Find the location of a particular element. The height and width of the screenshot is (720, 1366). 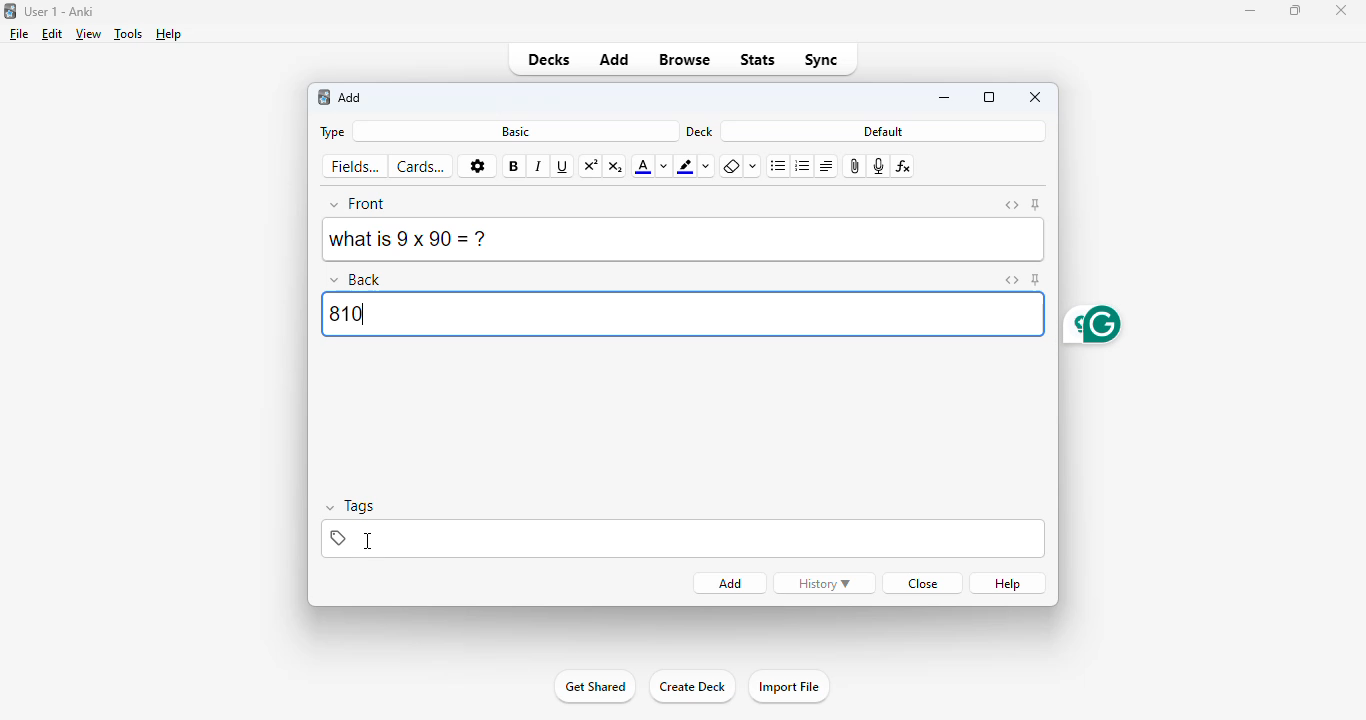

file is located at coordinates (19, 34).